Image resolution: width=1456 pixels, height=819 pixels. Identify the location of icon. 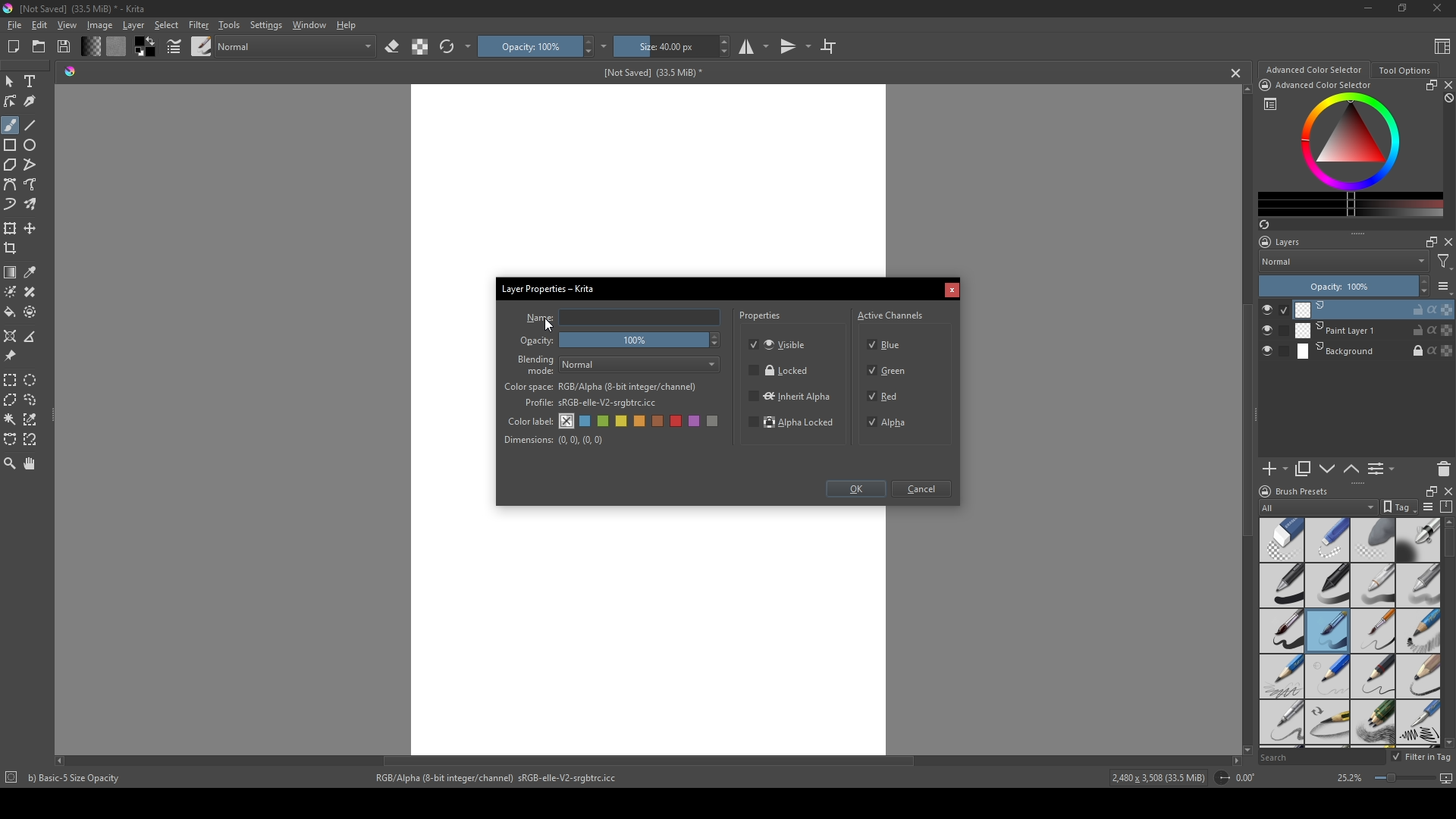
(10, 779).